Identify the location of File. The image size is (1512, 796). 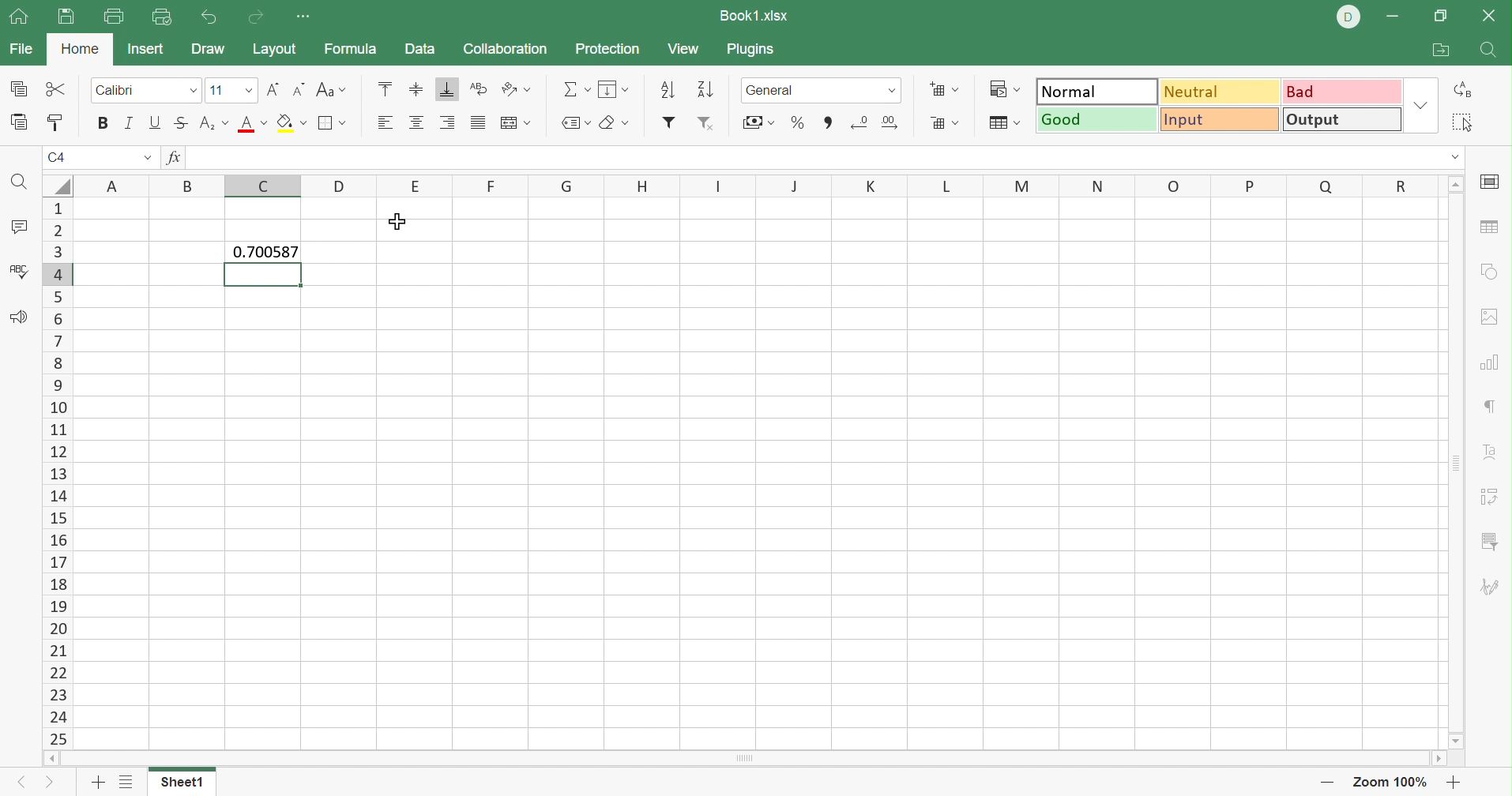
(21, 49).